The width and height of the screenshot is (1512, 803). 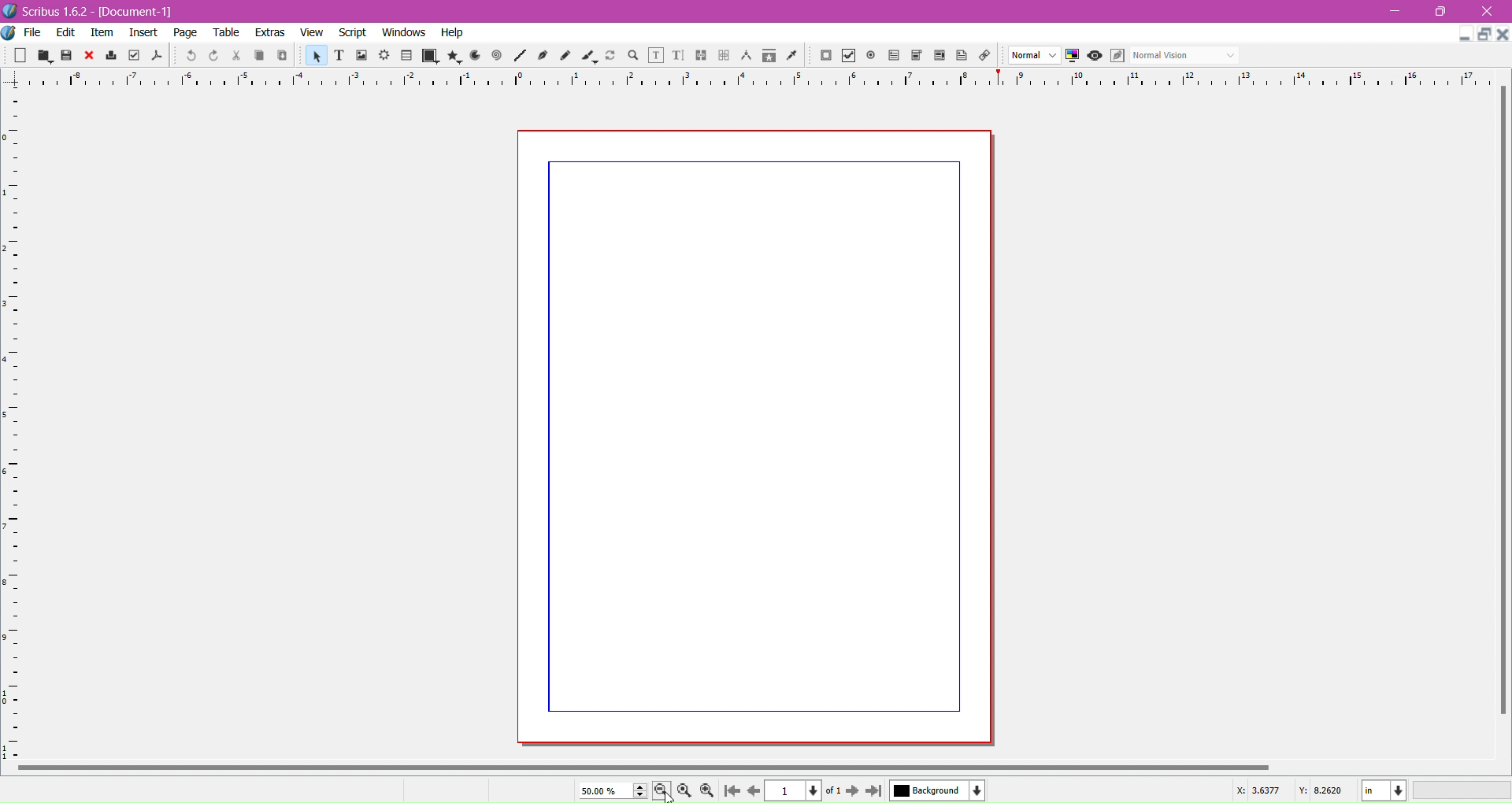 What do you see at coordinates (185, 32) in the screenshot?
I see `Page` at bounding box center [185, 32].